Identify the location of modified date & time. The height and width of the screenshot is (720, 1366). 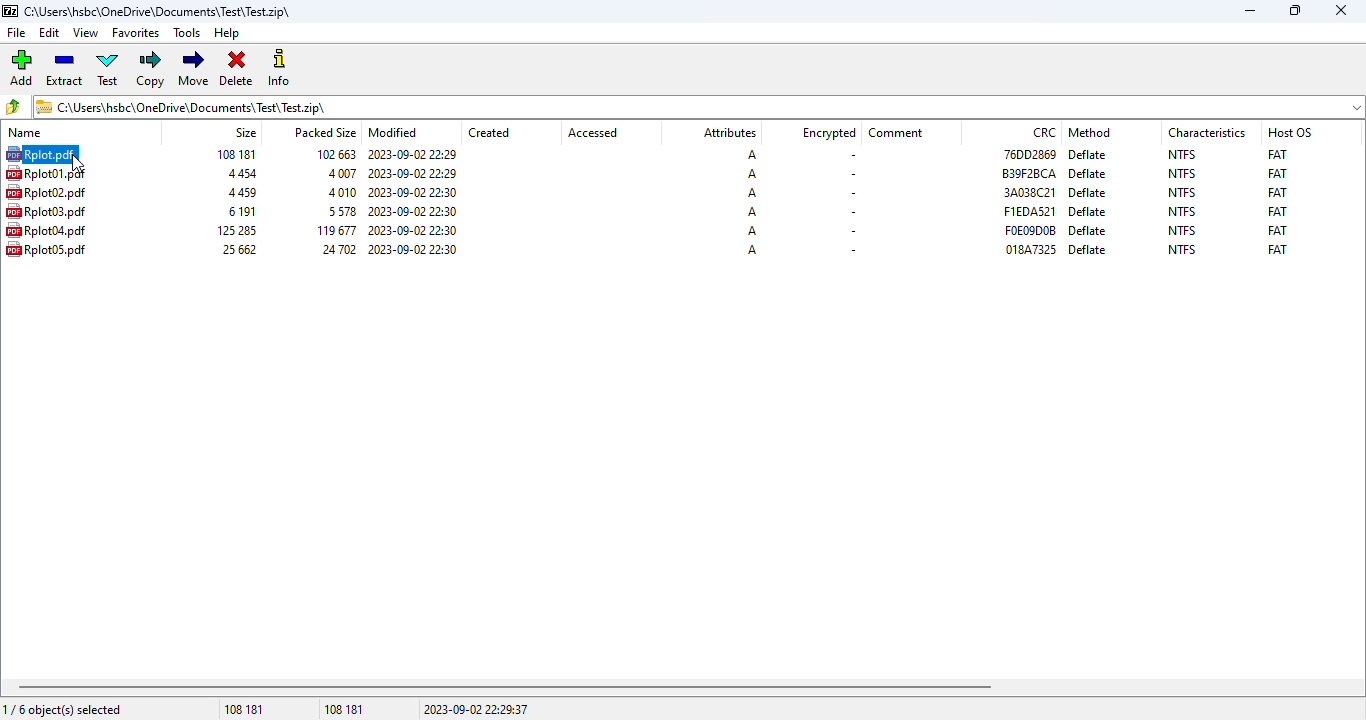
(412, 155).